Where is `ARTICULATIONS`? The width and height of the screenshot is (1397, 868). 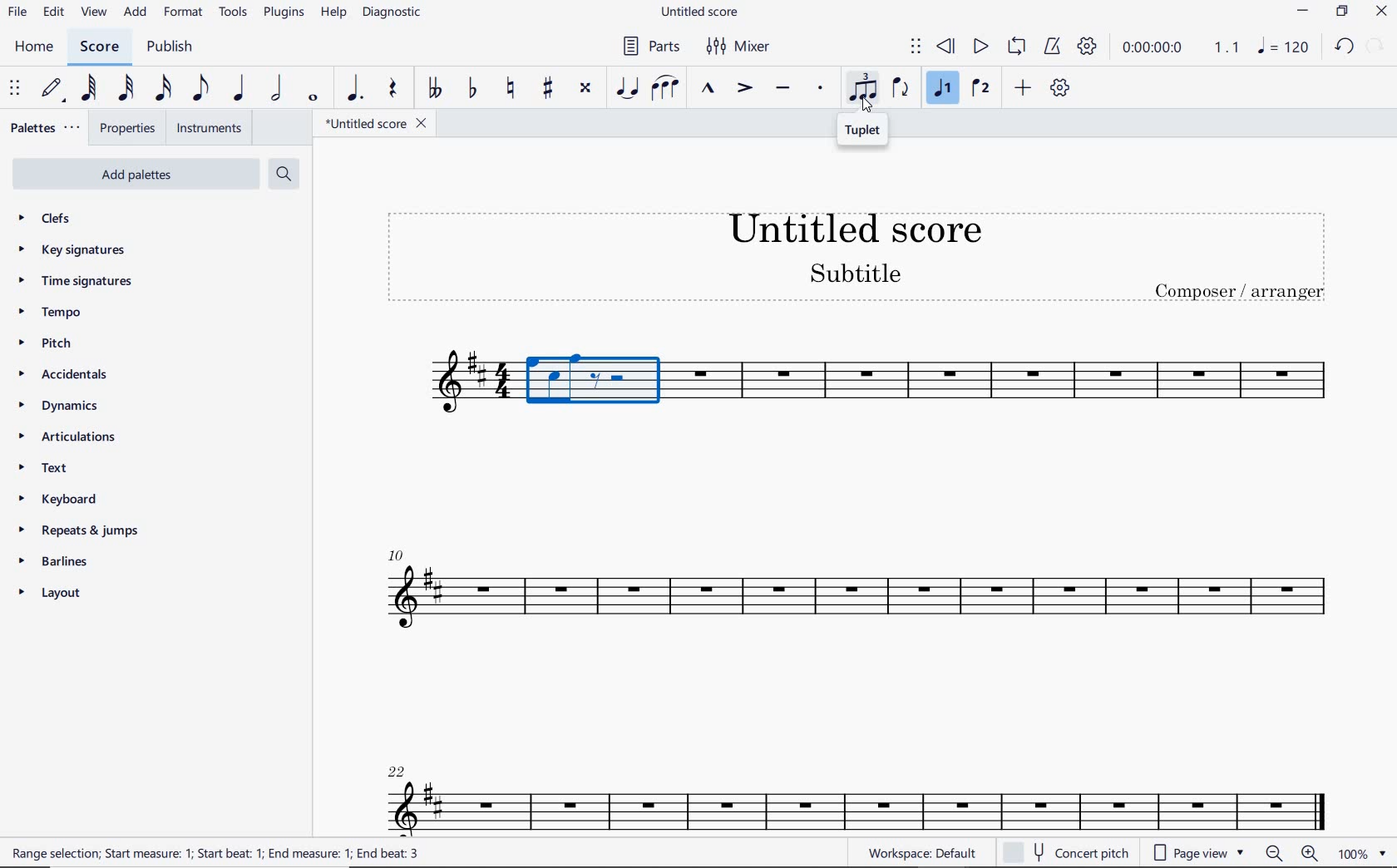
ARTICULATIONS is located at coordinates (67, 439).